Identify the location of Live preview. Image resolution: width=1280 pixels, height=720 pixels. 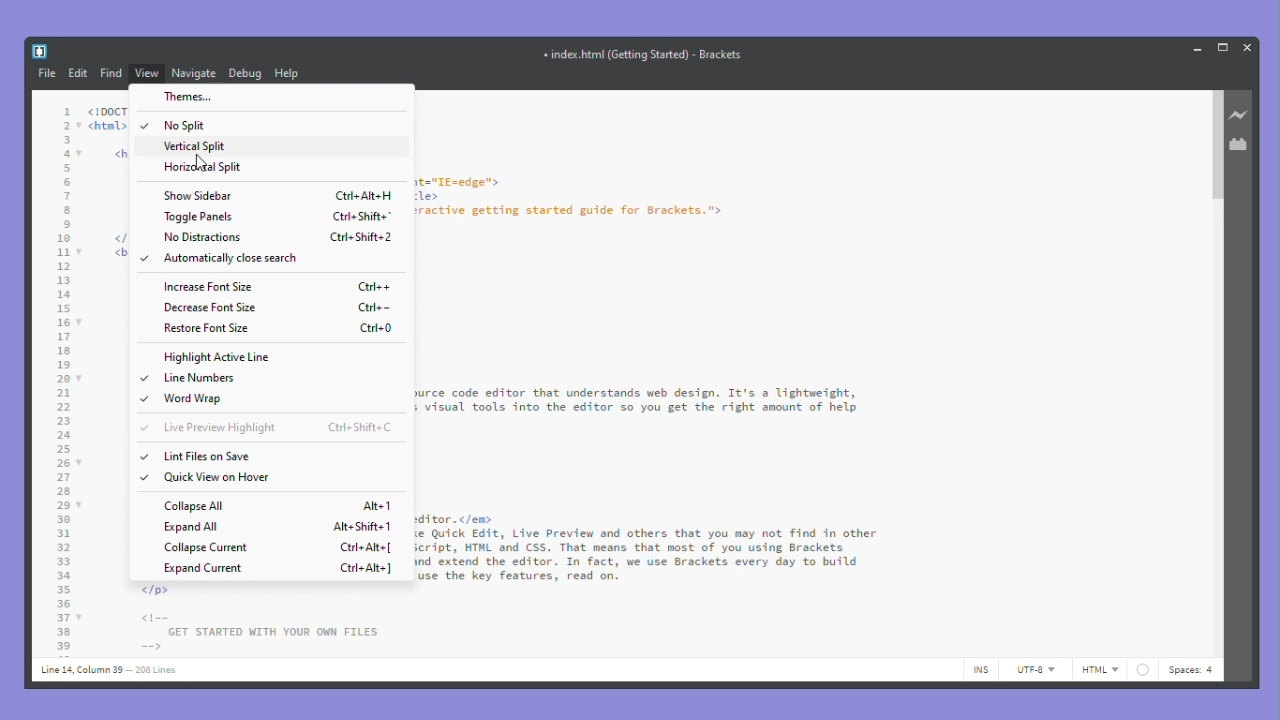
(1241, 116).